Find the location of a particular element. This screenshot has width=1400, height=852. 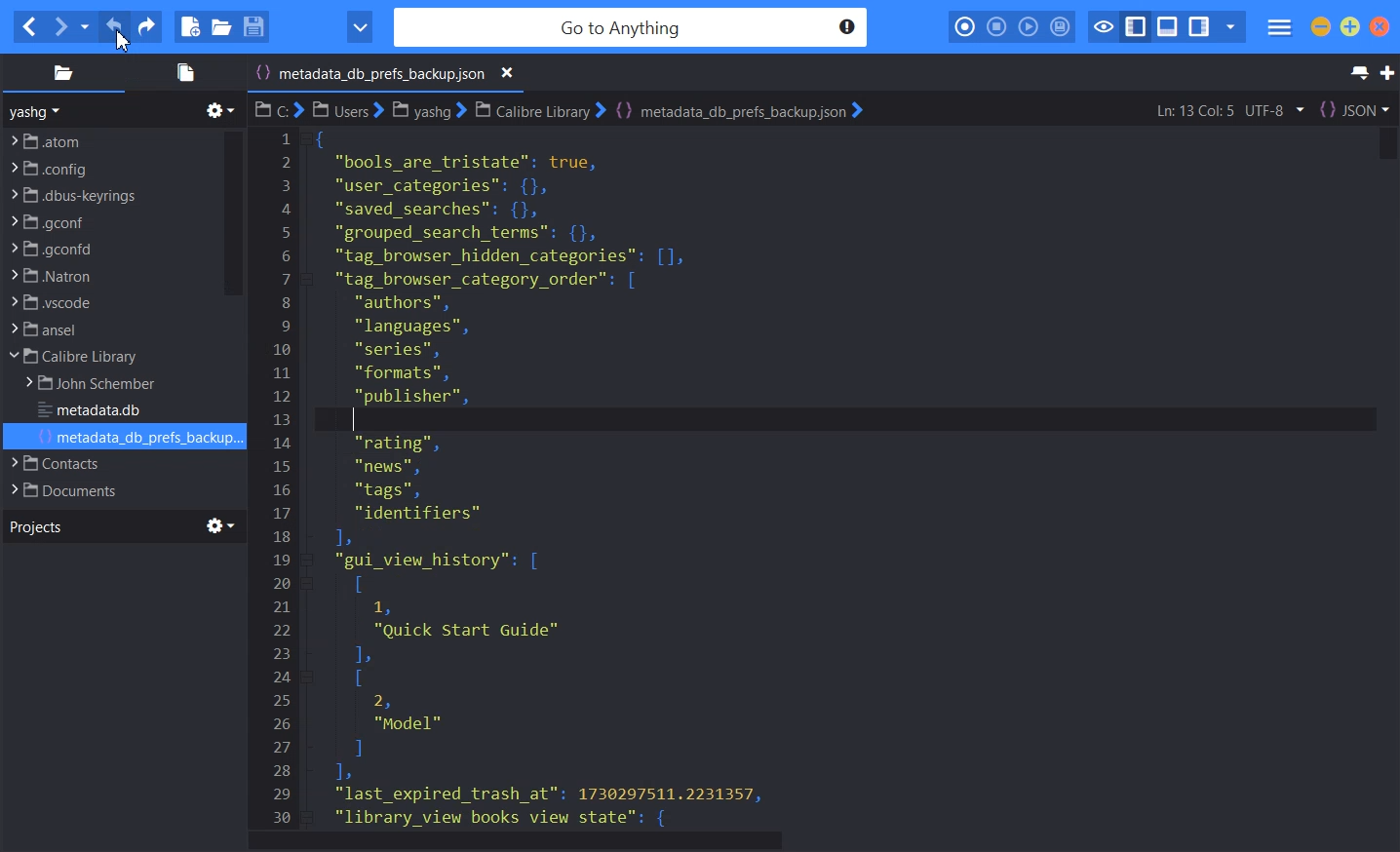

metadata_db_pref_bakup File is located at coordinates (738, 110).